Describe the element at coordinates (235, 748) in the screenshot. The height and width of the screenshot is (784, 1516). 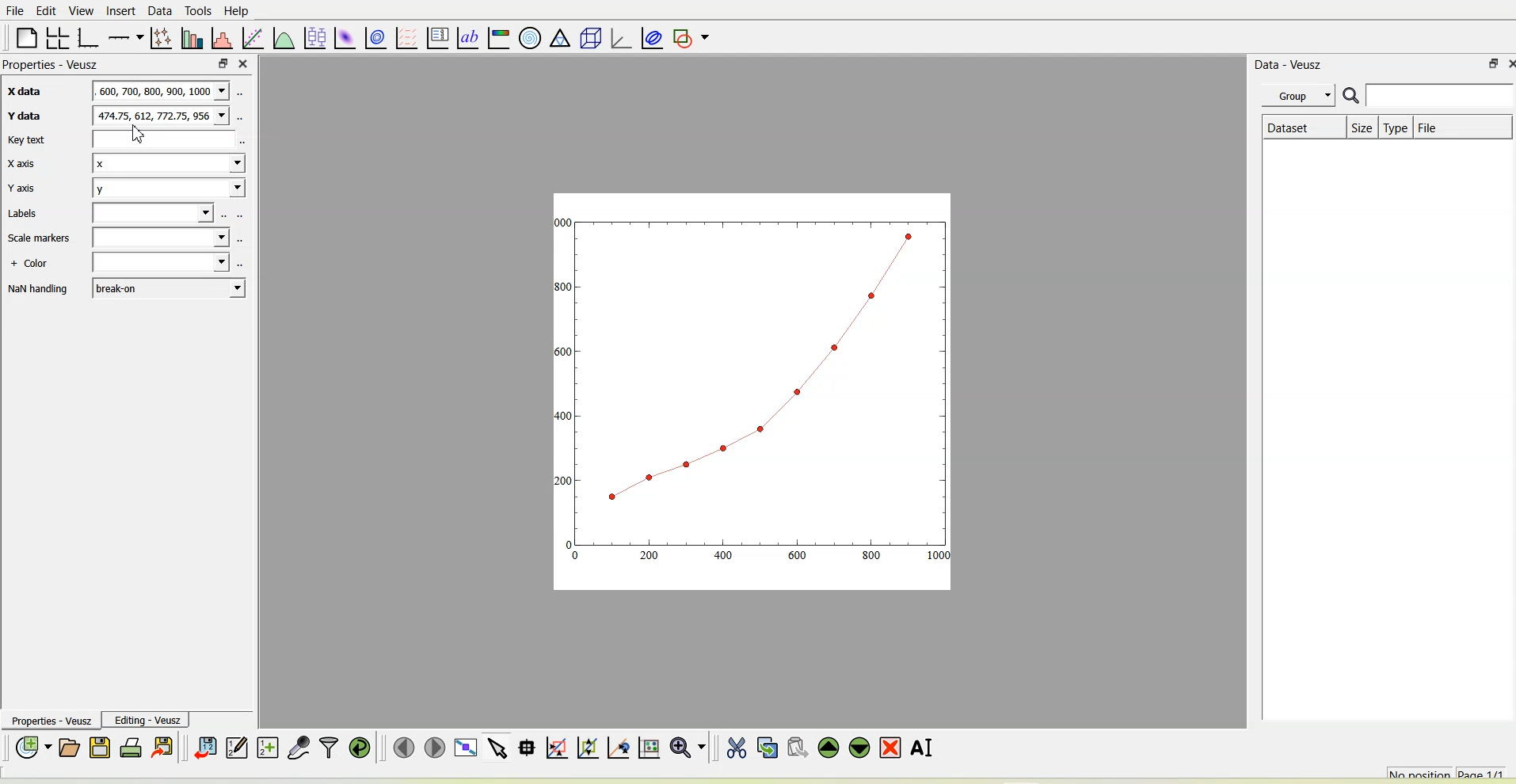
I see `Edit and enter new datasets` at that location.